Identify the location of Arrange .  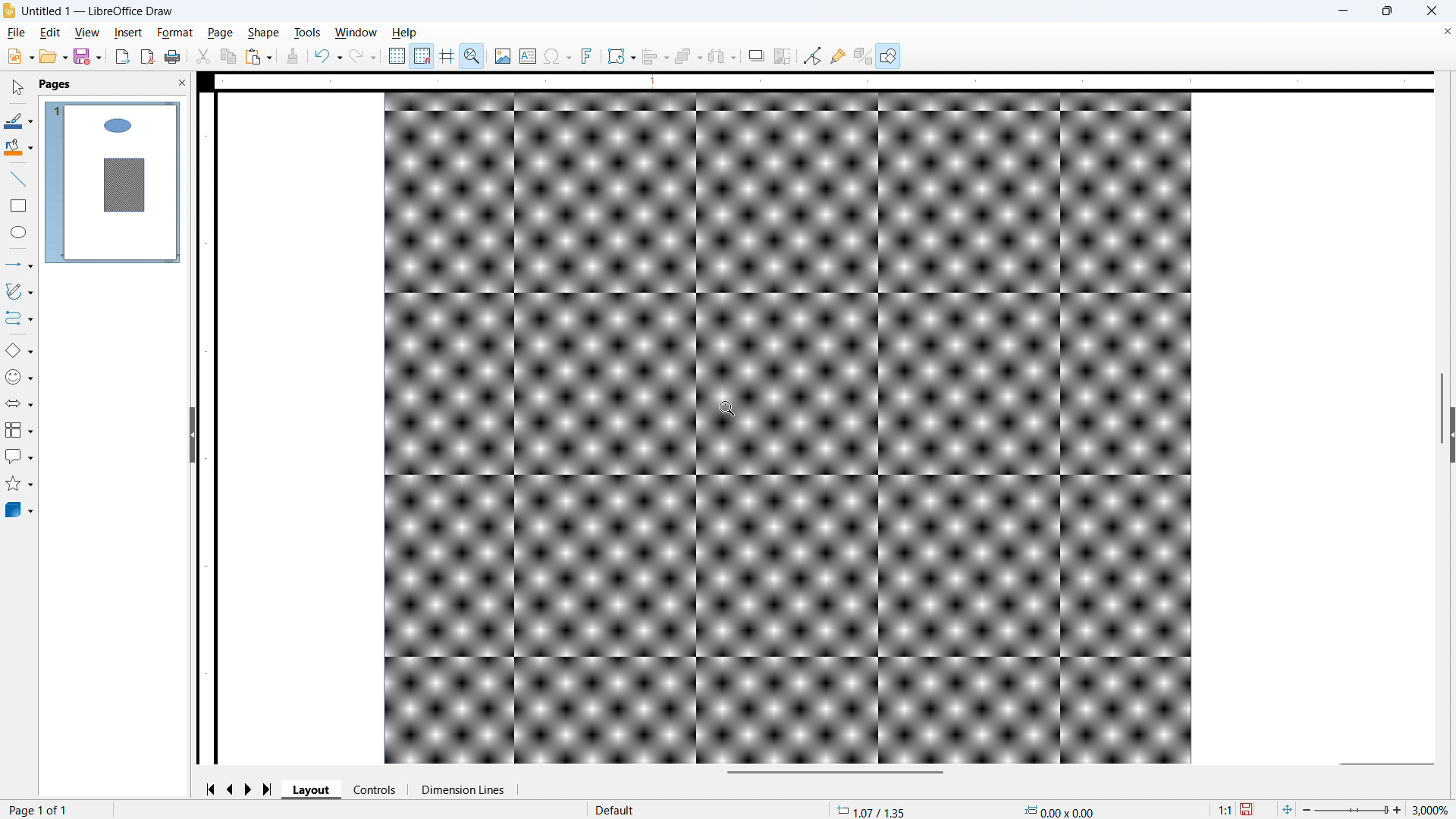
(688, 57).